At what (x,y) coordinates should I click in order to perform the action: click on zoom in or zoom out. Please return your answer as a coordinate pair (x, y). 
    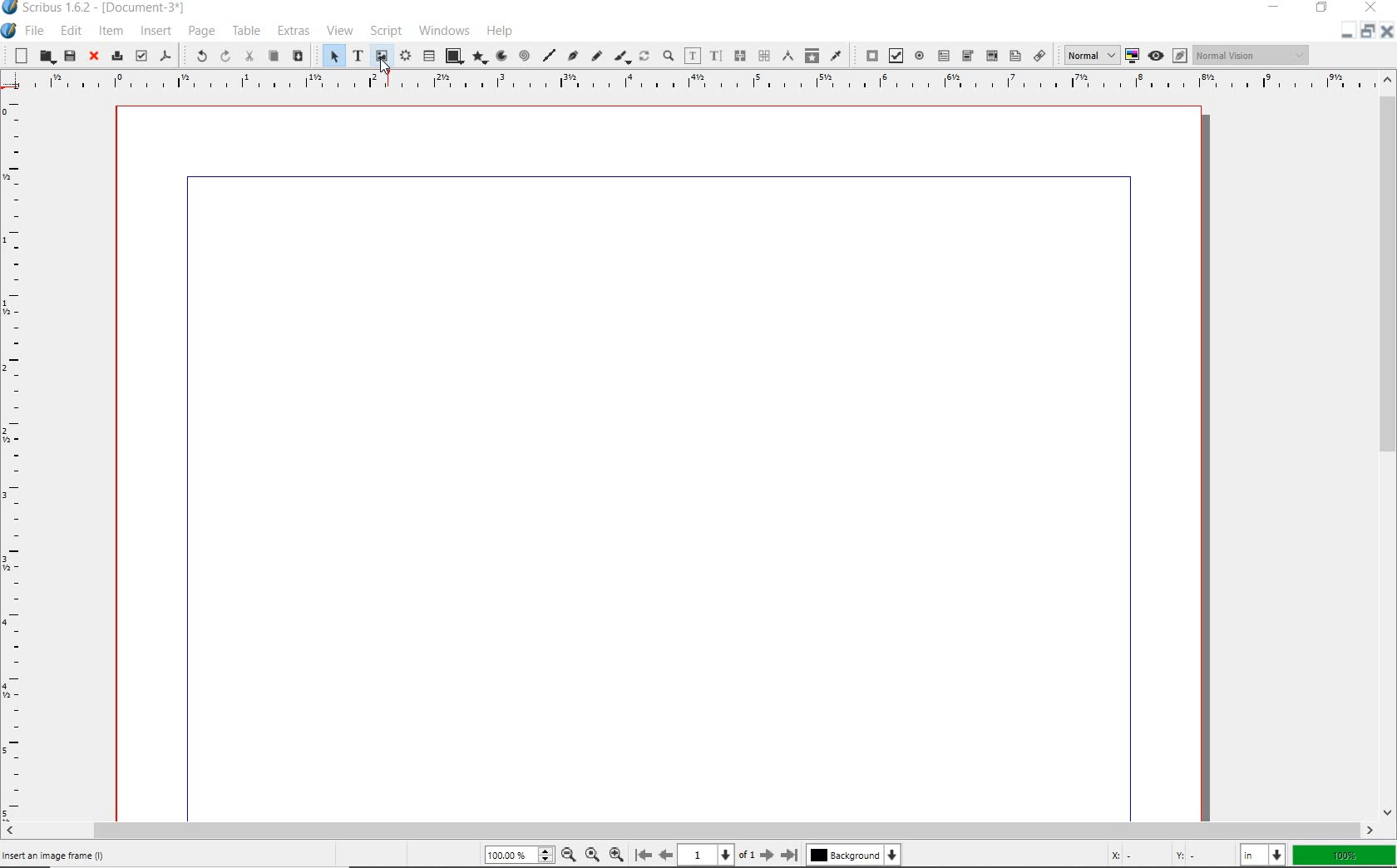
    Looking at the image, I should click on (668, 55).